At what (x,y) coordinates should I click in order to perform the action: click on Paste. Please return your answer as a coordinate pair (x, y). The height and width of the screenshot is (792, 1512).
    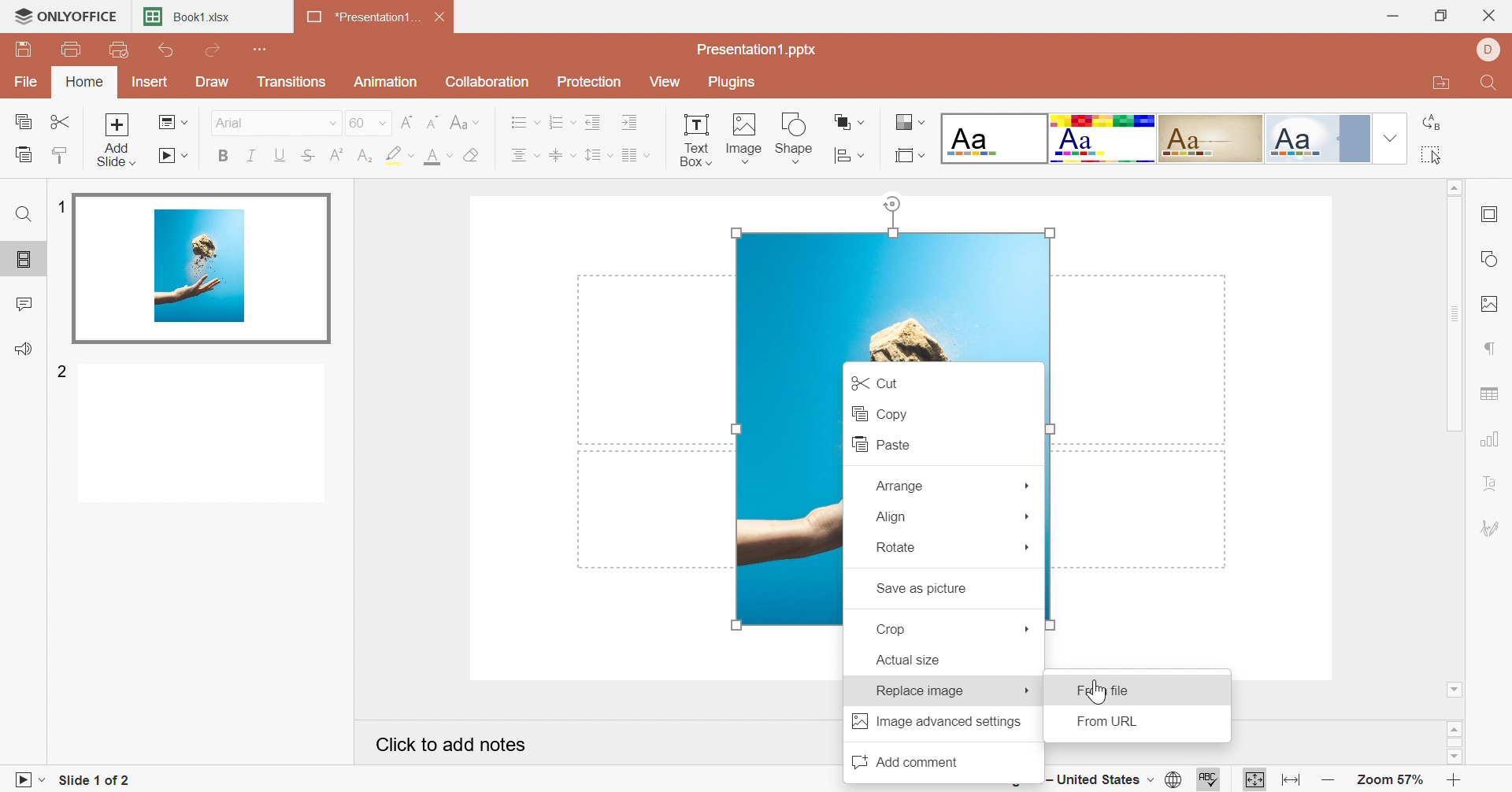
    Looking at the image, I should click on (876, 444).